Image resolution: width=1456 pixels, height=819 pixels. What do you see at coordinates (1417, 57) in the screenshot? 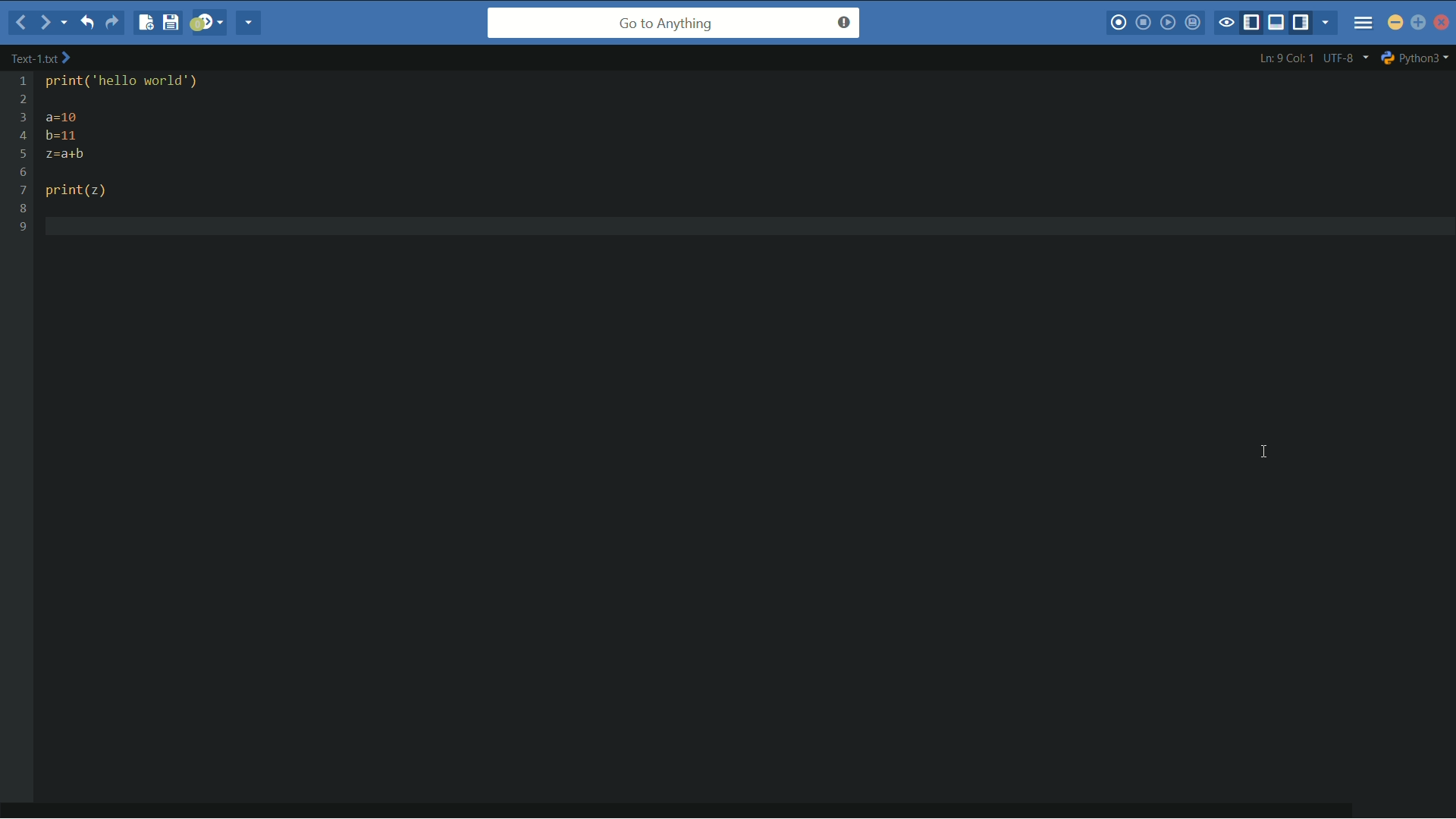
I see `python3` at bounding box center [1417, 57].